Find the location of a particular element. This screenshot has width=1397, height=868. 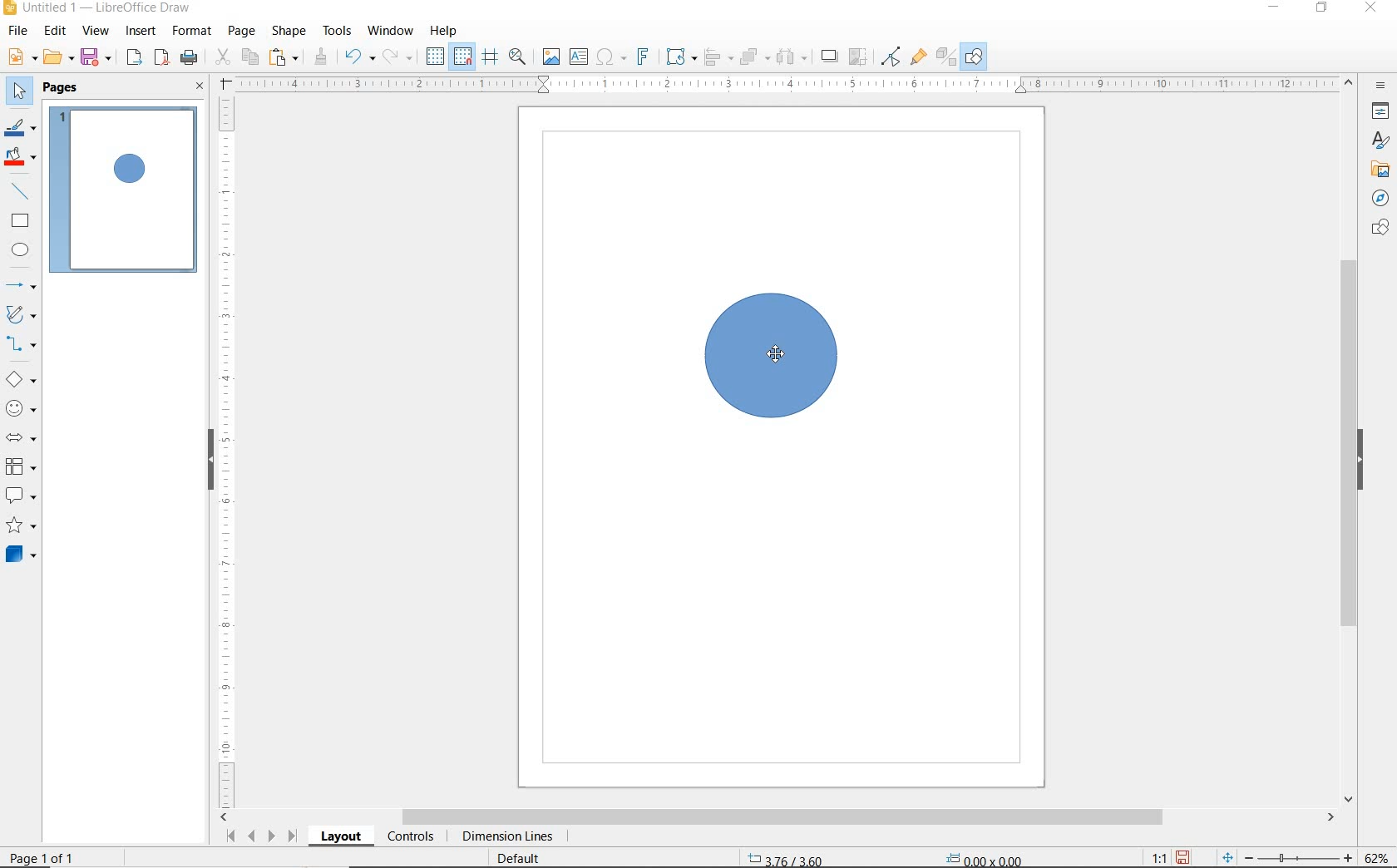

DIMENSION LINES is located at coordinates (511, 836).